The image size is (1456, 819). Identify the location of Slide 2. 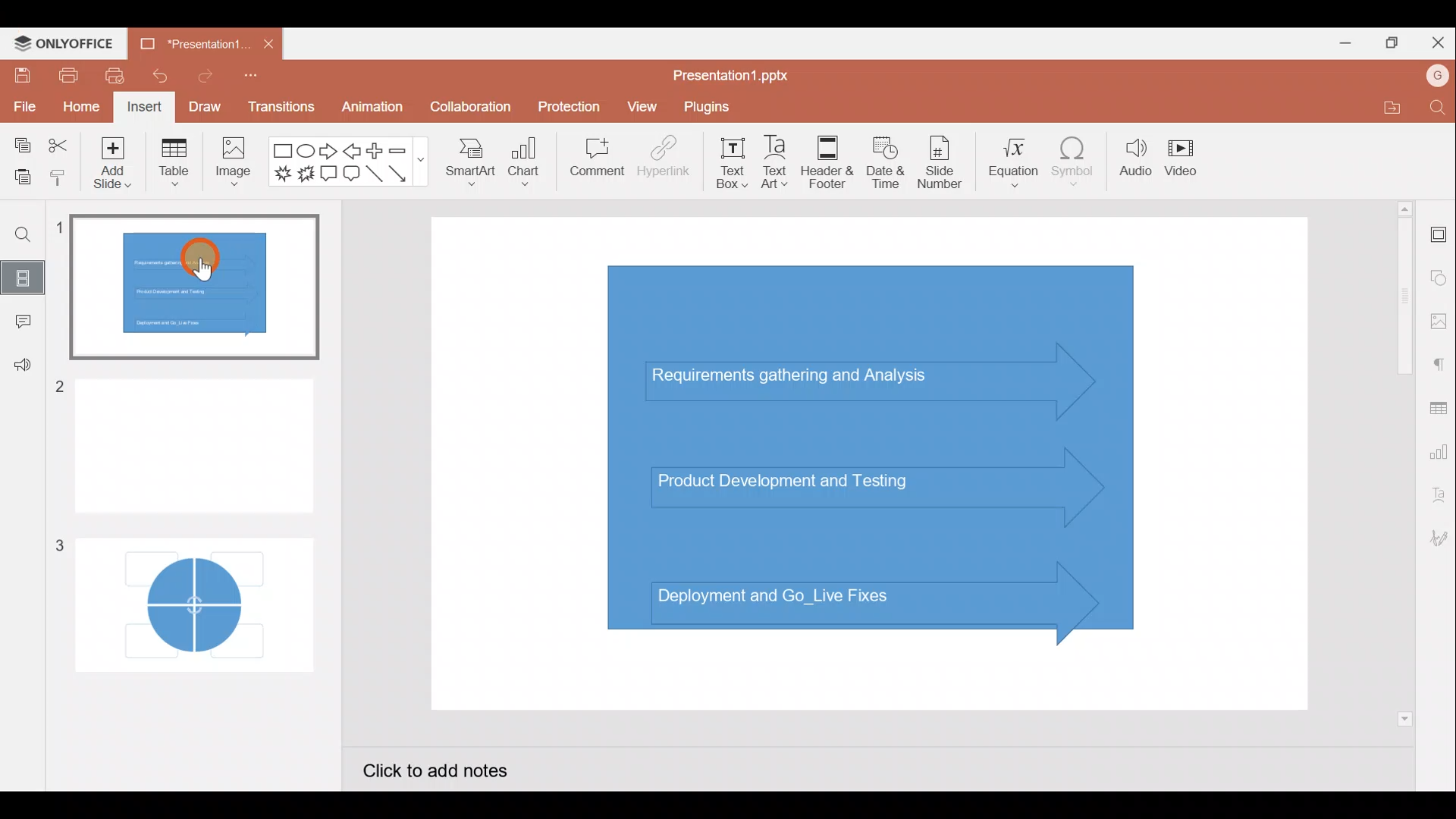
(192, 438).